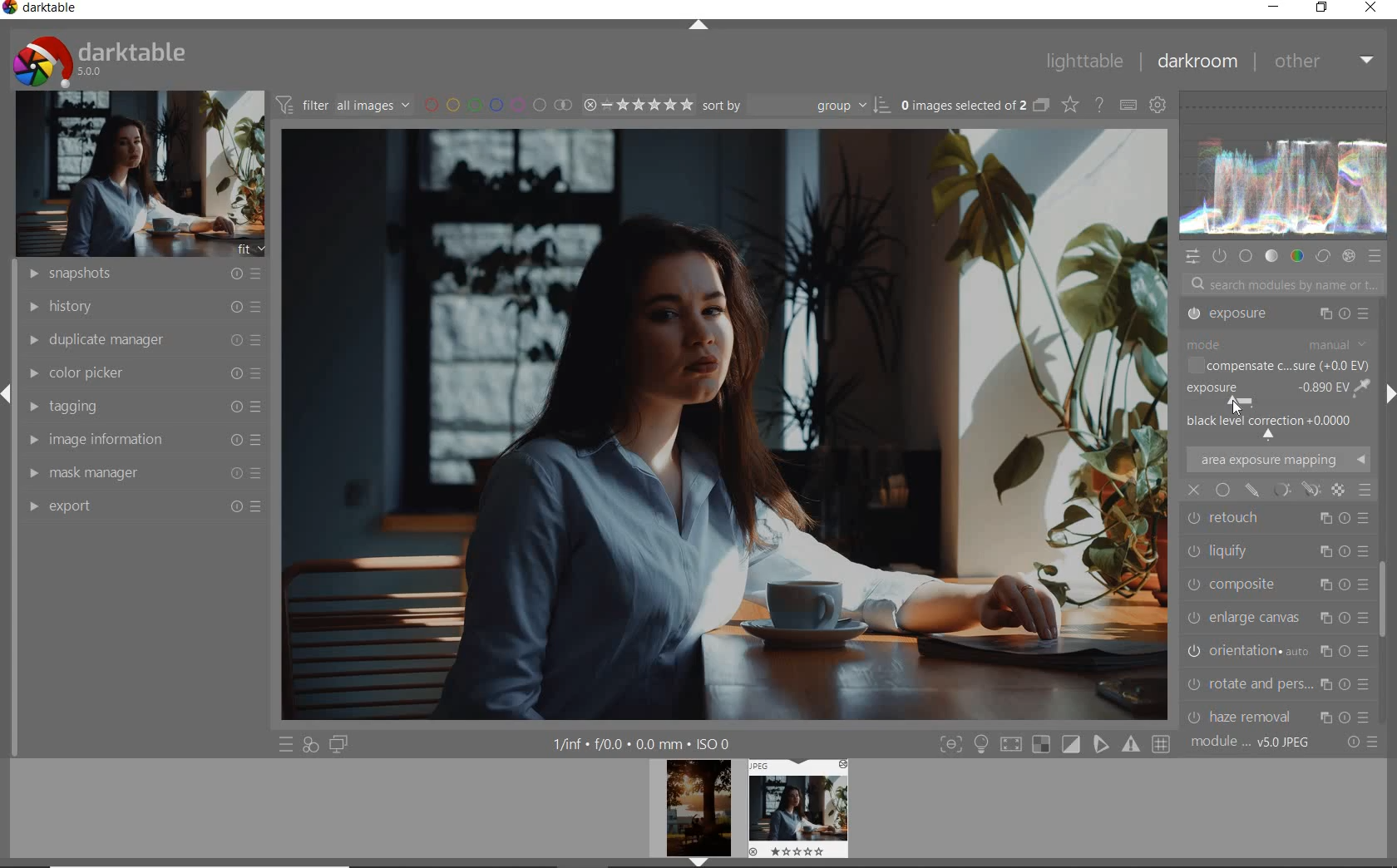  What do you see at coordinates (698, 814) in the screenshot?
I see `IMAGE PREVIEW` at bounding box center [698, 814].